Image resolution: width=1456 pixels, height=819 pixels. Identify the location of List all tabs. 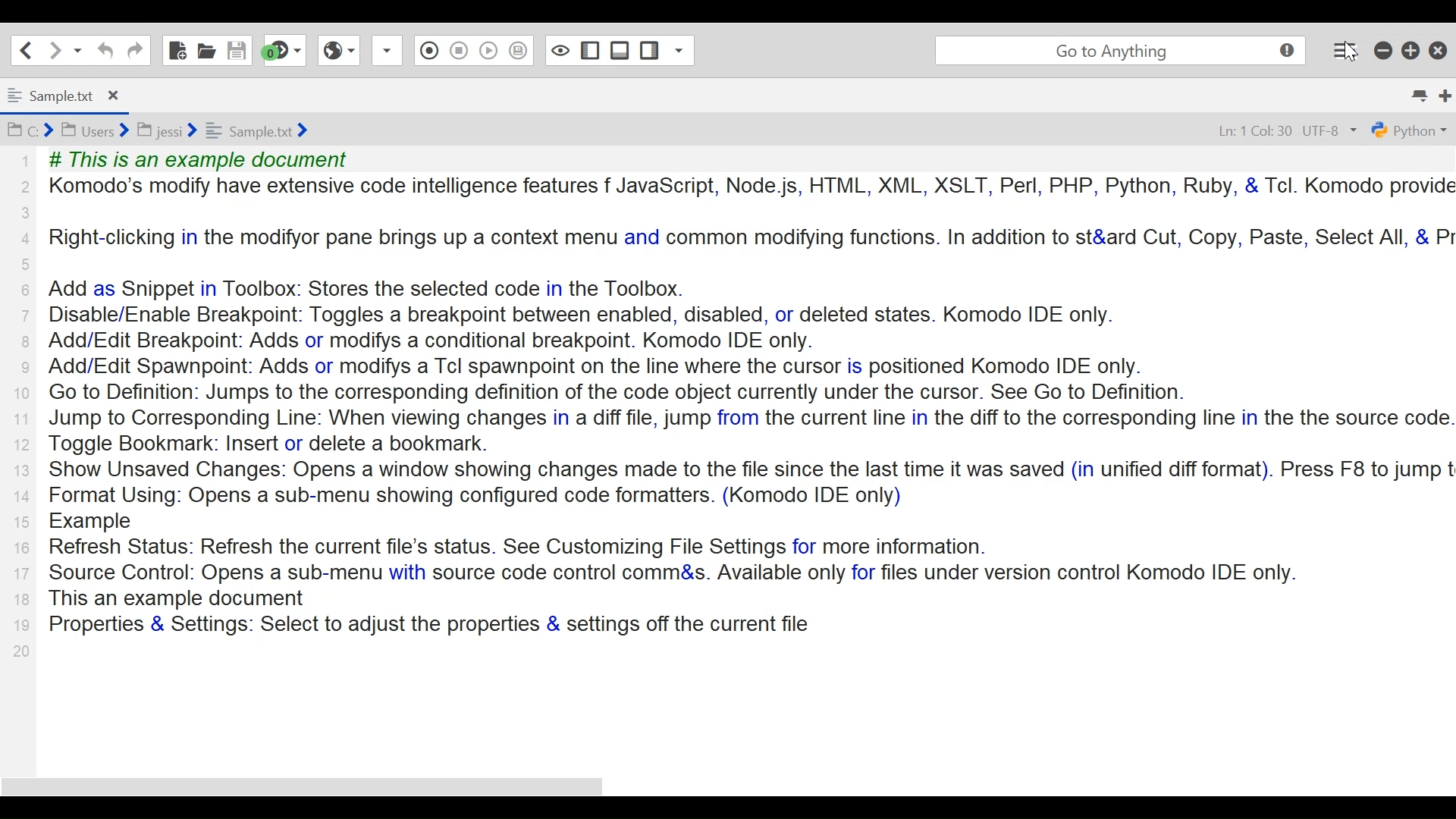
(1414, 93).